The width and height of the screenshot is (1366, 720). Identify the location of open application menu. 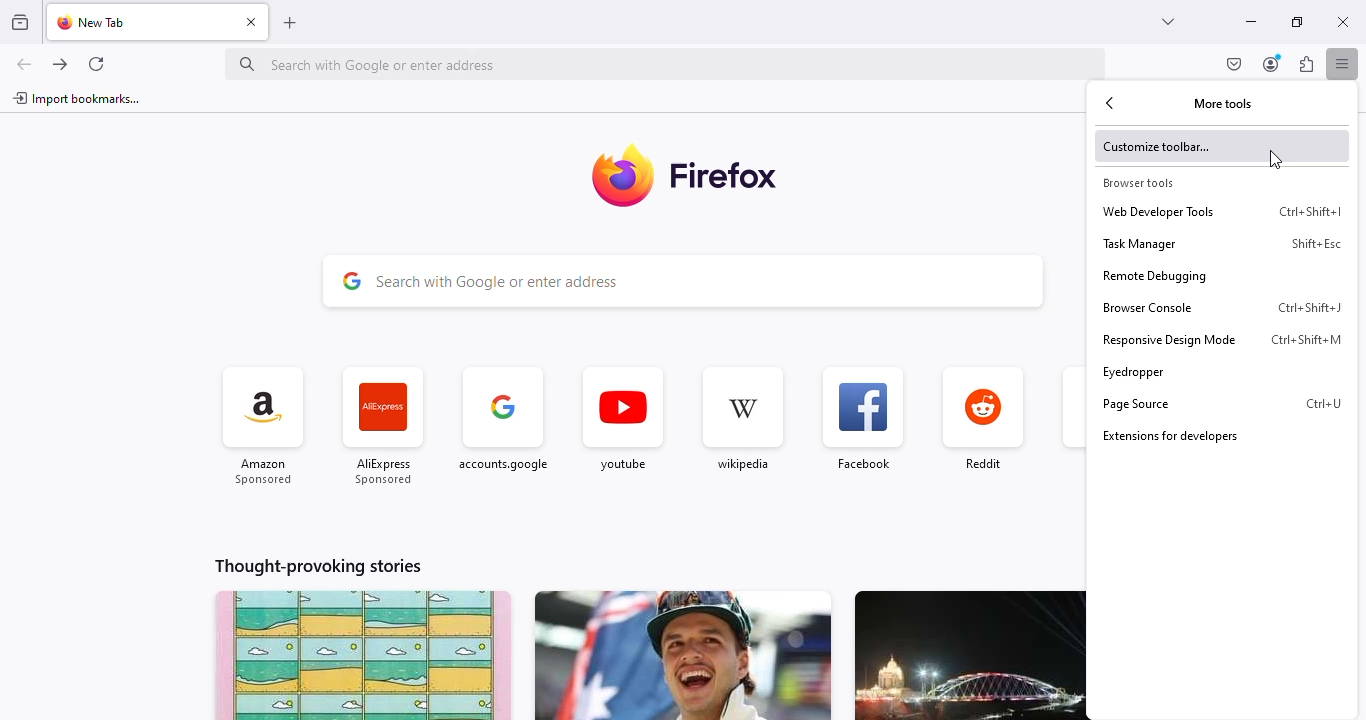
(1342, 63).